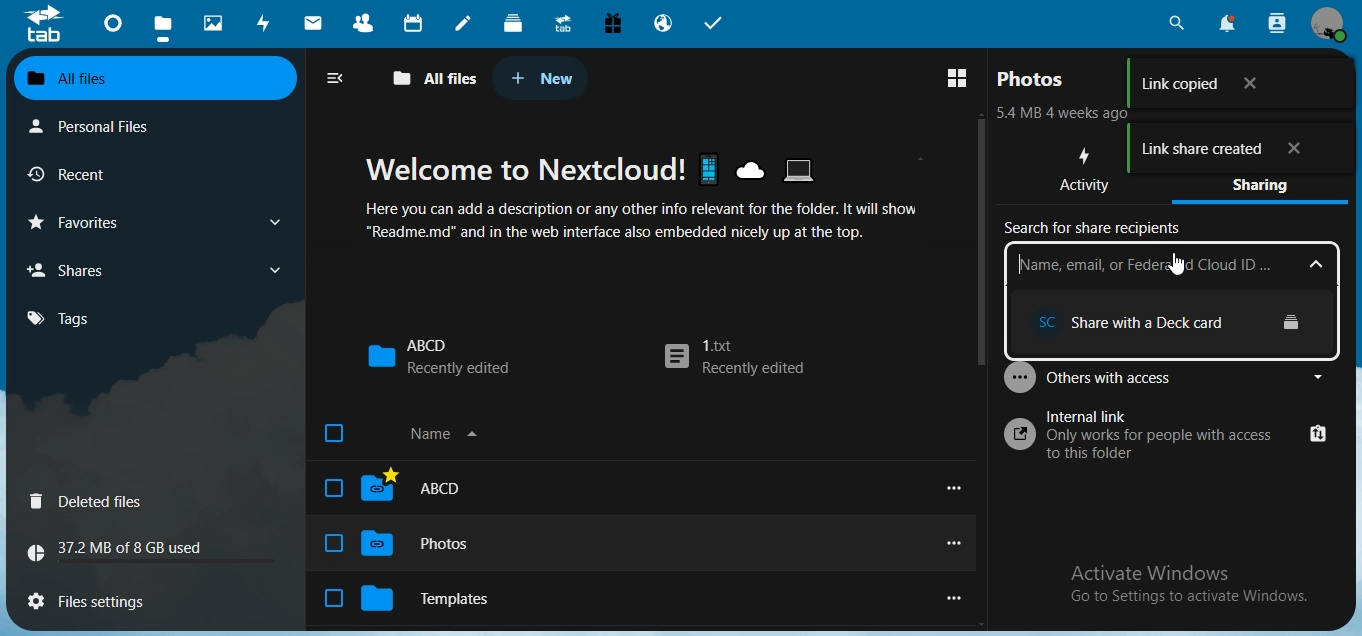 The width and height of the screenshot is (1362, 636). What do you see at coordinates (1188, 584) in the screenshot?
I see `text` at bounding box center [1188, 584].